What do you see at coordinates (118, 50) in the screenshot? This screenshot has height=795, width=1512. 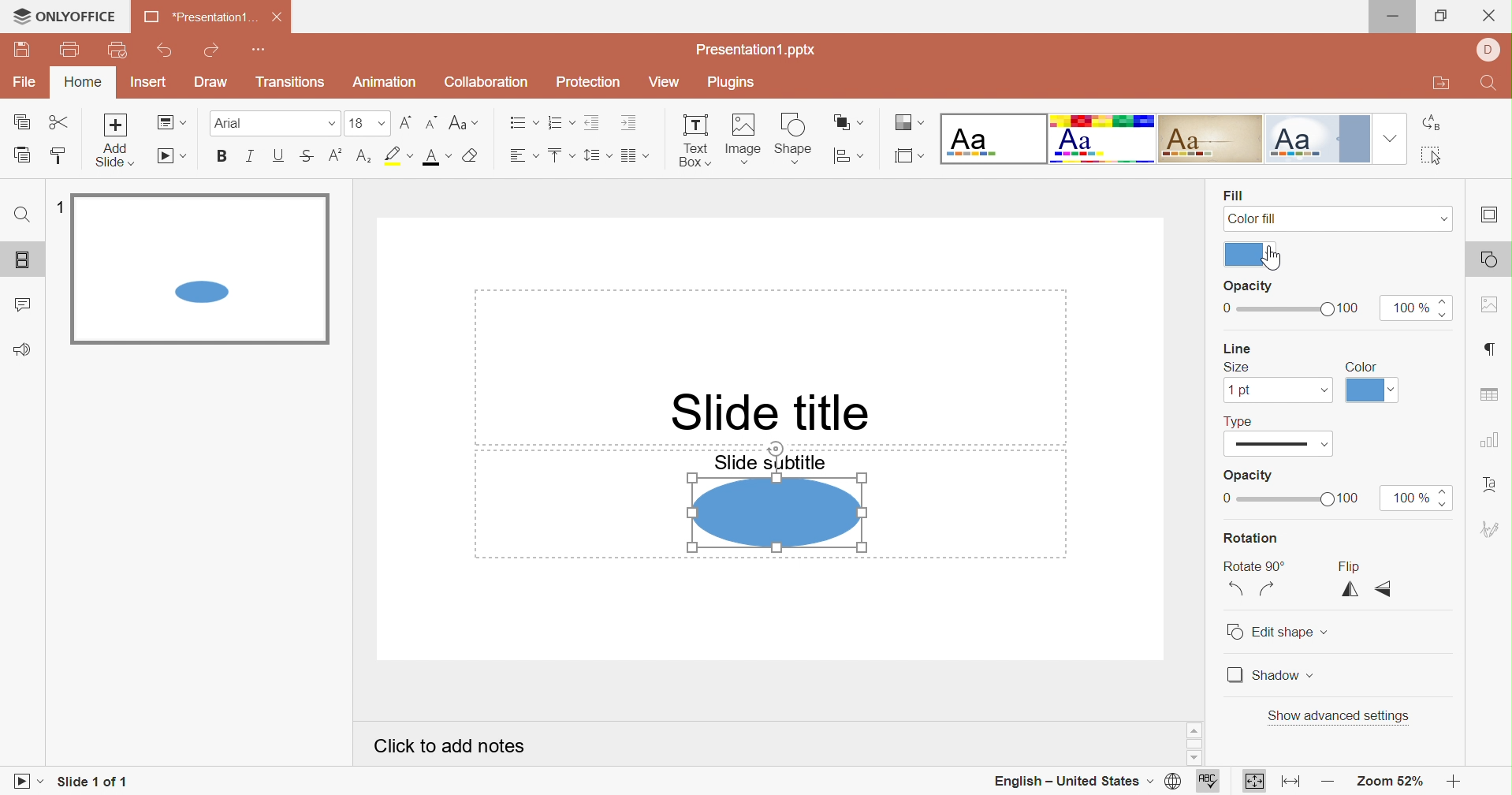 I see `Quick print` at bounding box center [118, 50].